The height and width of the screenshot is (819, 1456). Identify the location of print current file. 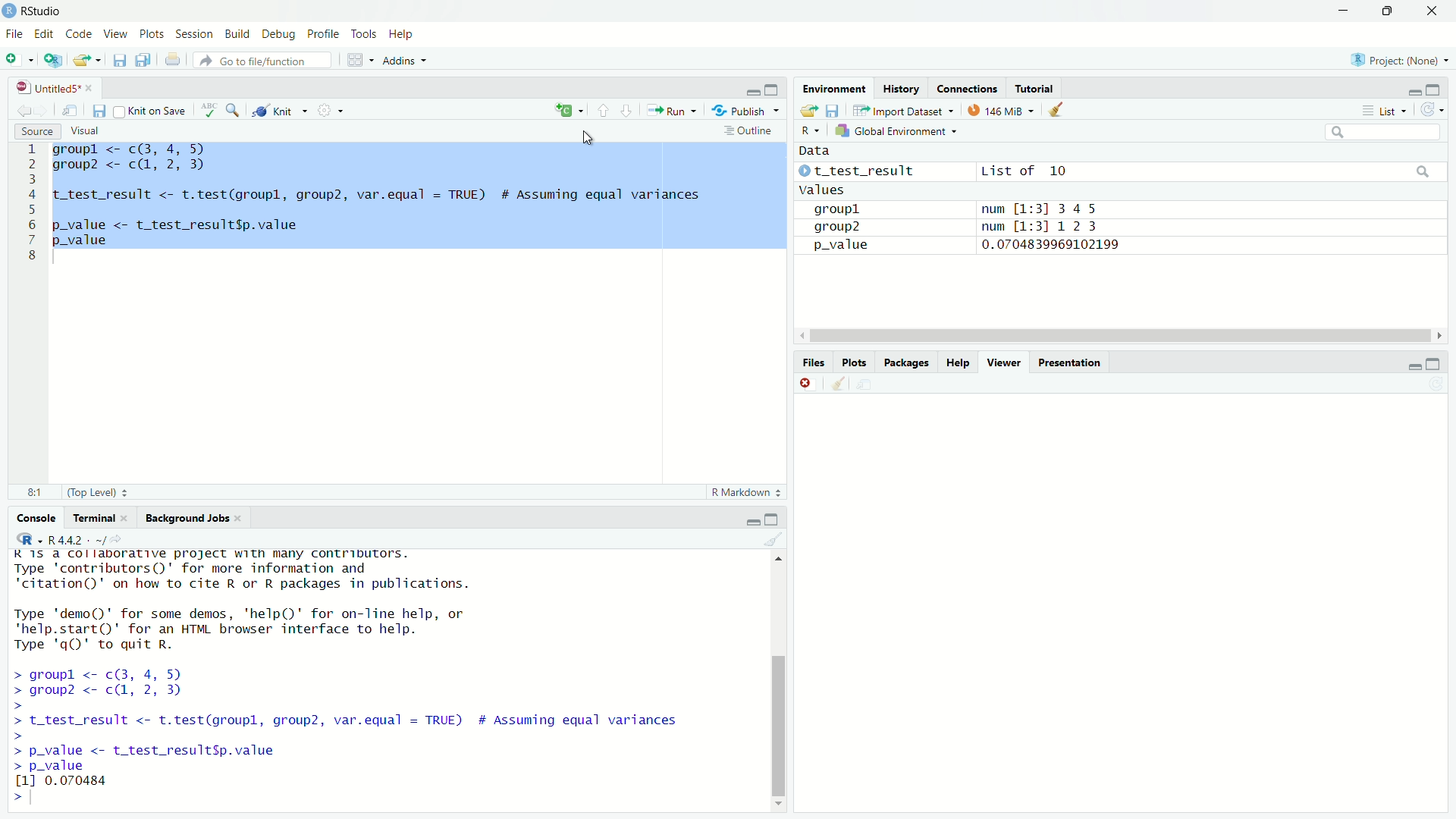
(171, 60).